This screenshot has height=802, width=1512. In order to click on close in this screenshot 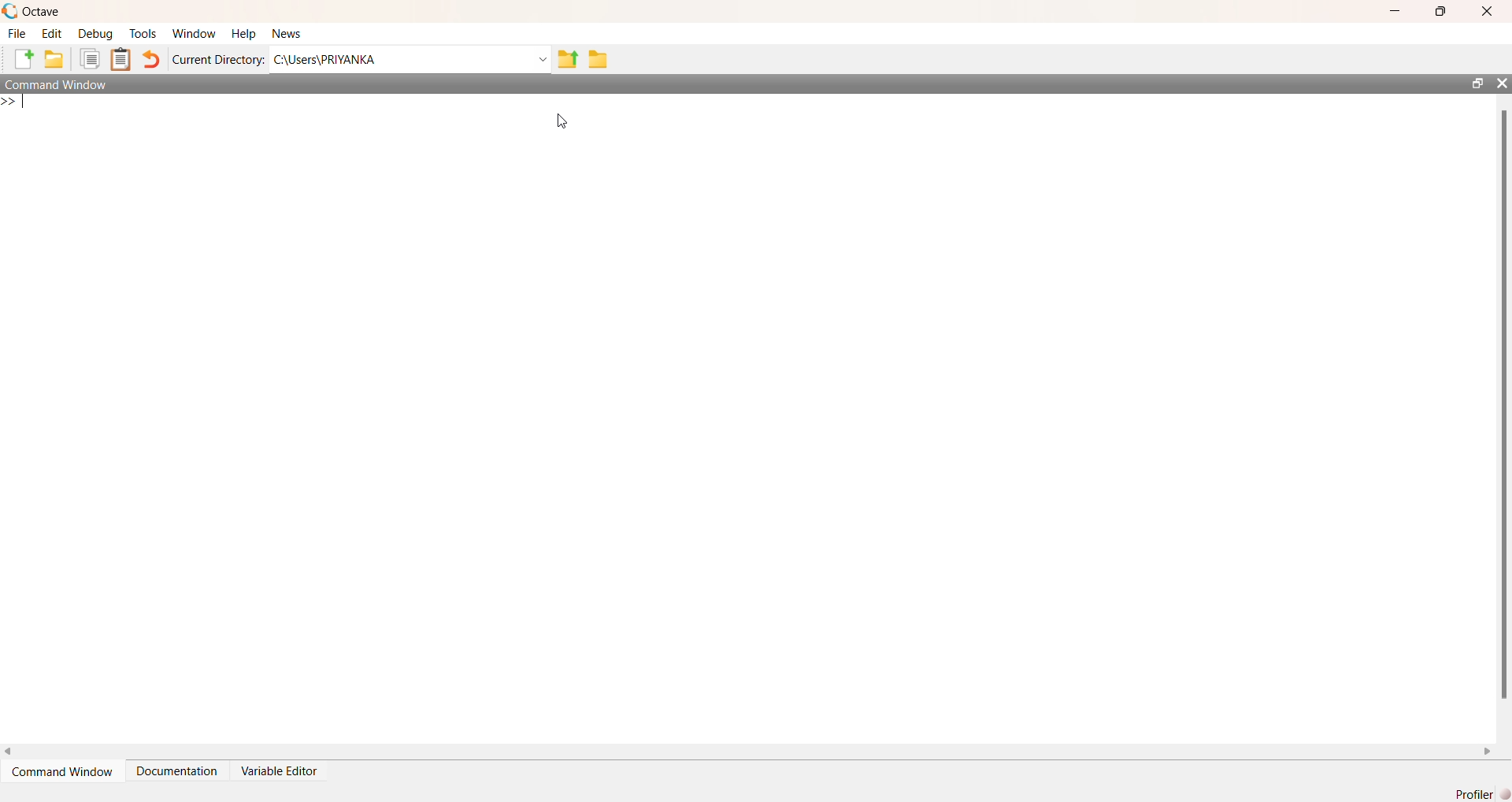, I will do `click(1503, 84)`.